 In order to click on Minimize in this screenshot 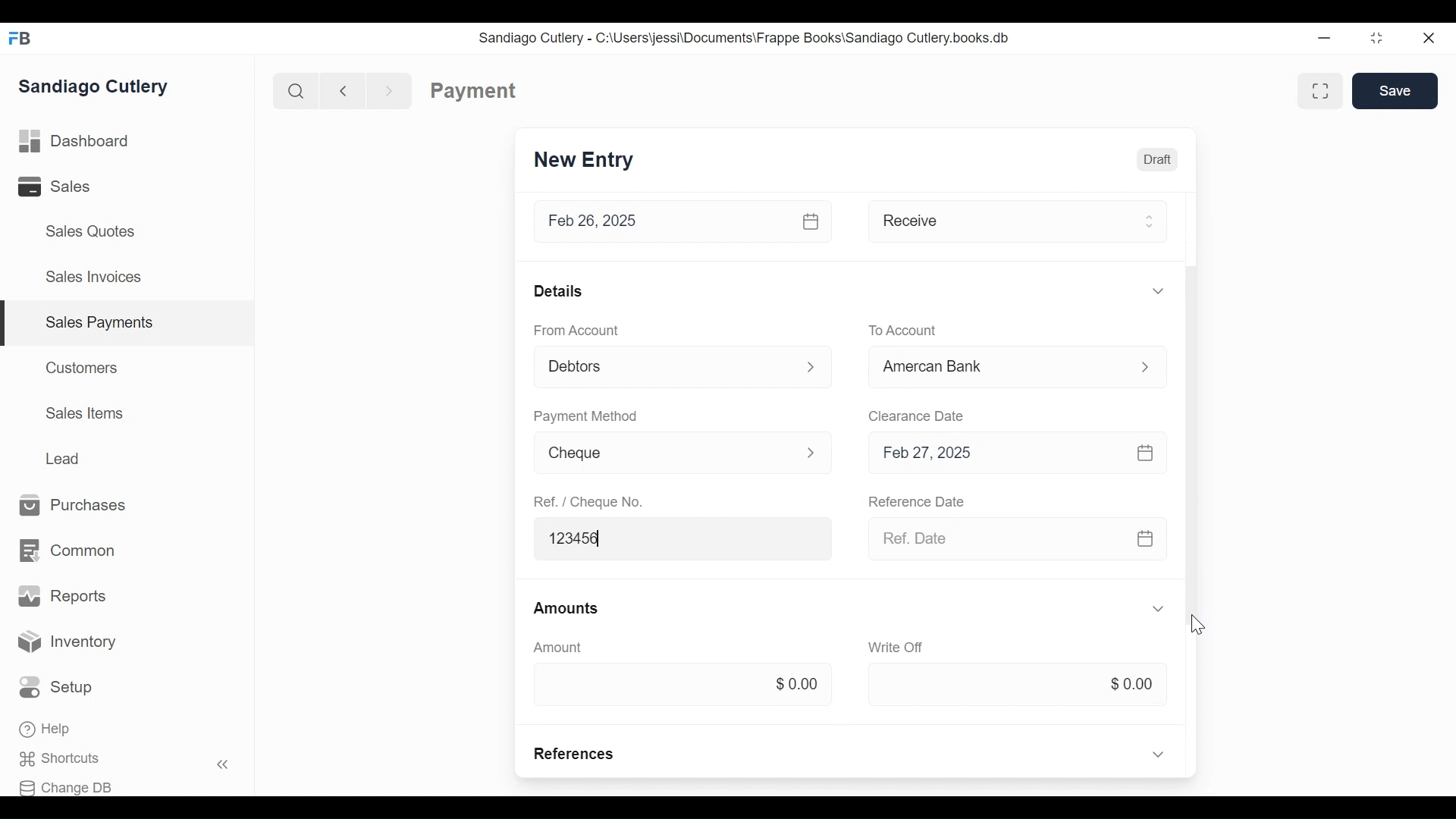, I will do `click(1324, 39)`.